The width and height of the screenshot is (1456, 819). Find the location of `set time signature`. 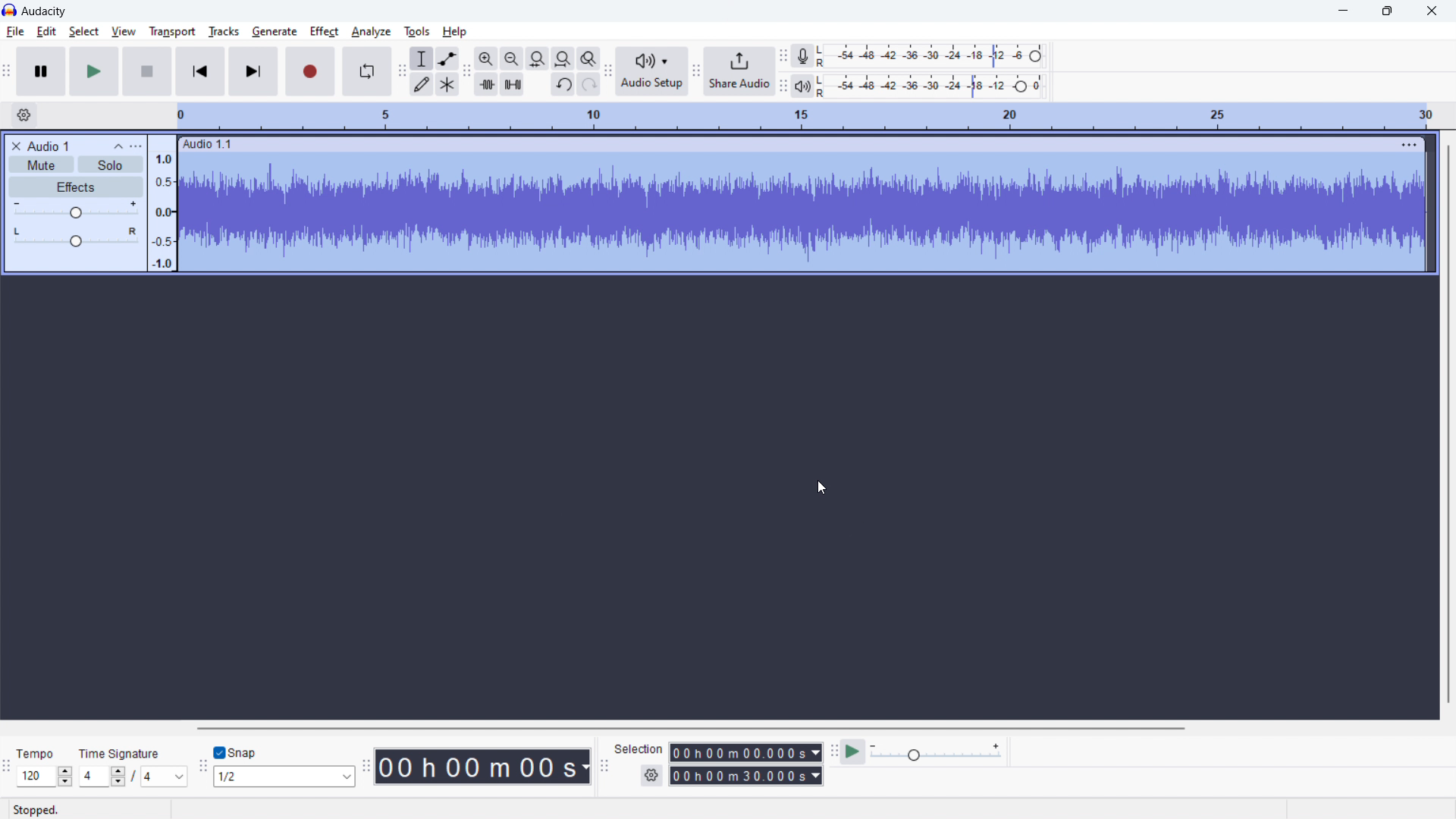

set time signature is located at coordinates (134, 777).